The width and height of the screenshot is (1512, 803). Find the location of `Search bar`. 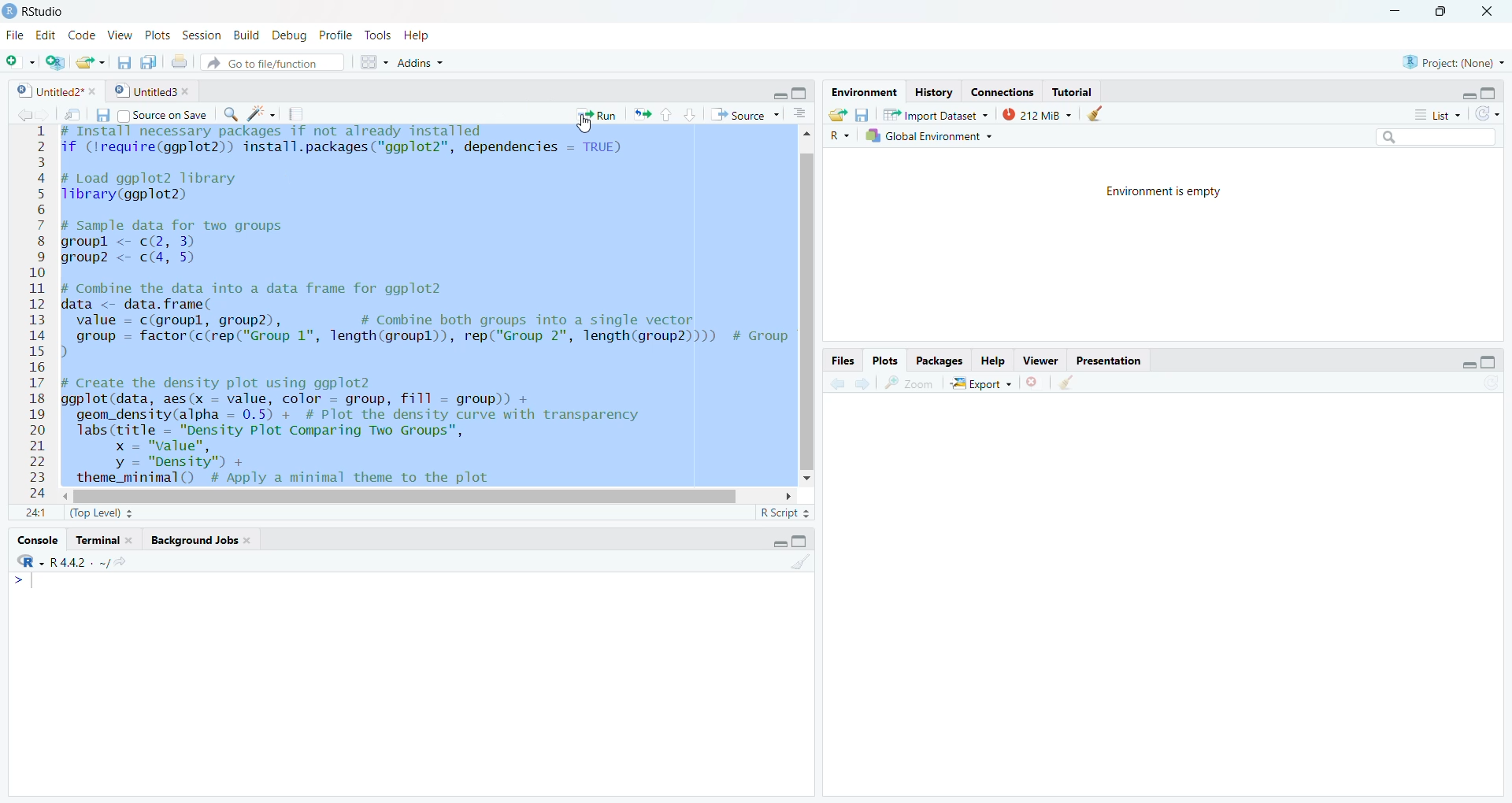

Search bar is located at coordinates (1425, 138).